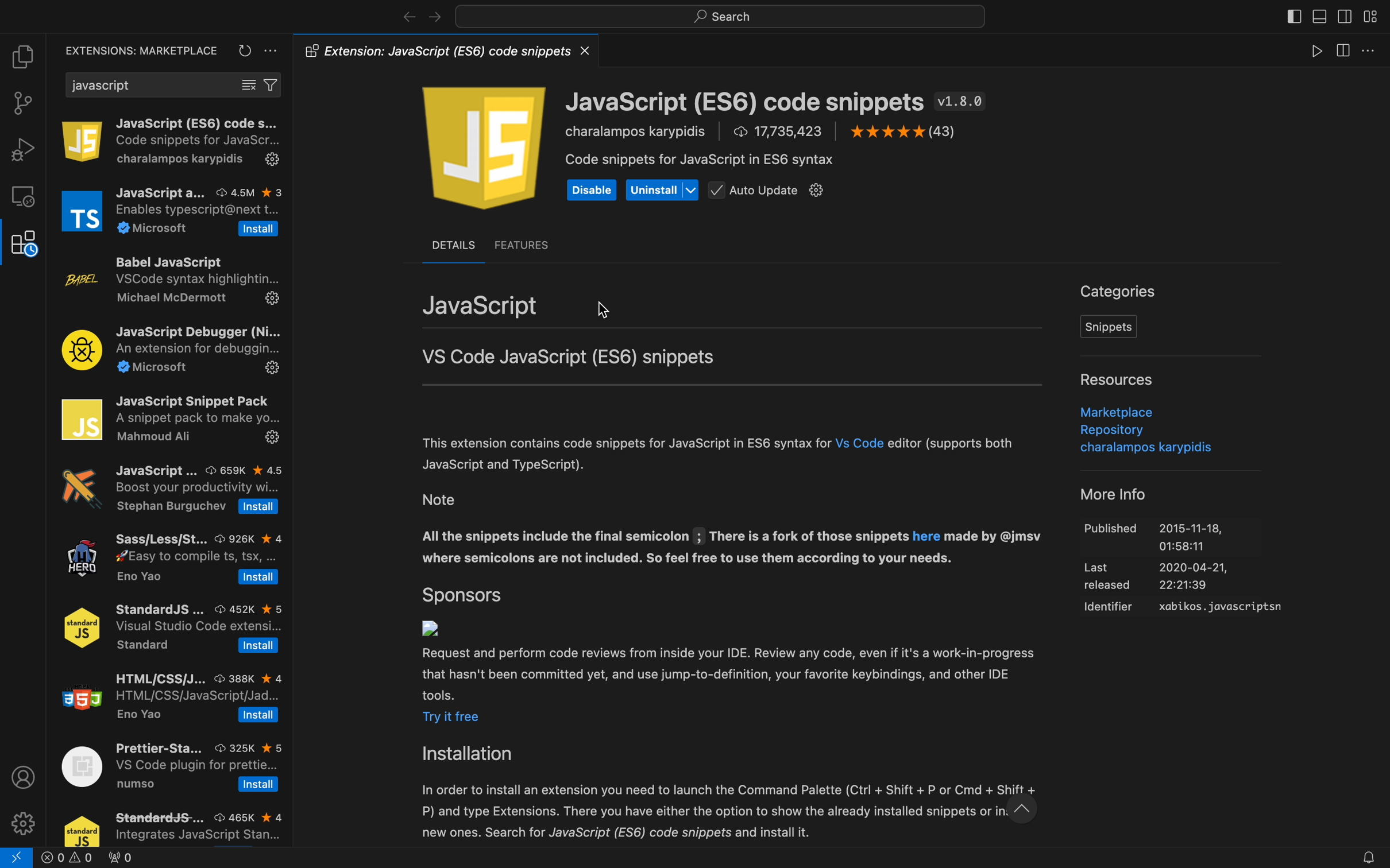  What do you see at coordinates (453, 243) in the screenshot?
I see `DETAILS` at bounding box center [453, 243].